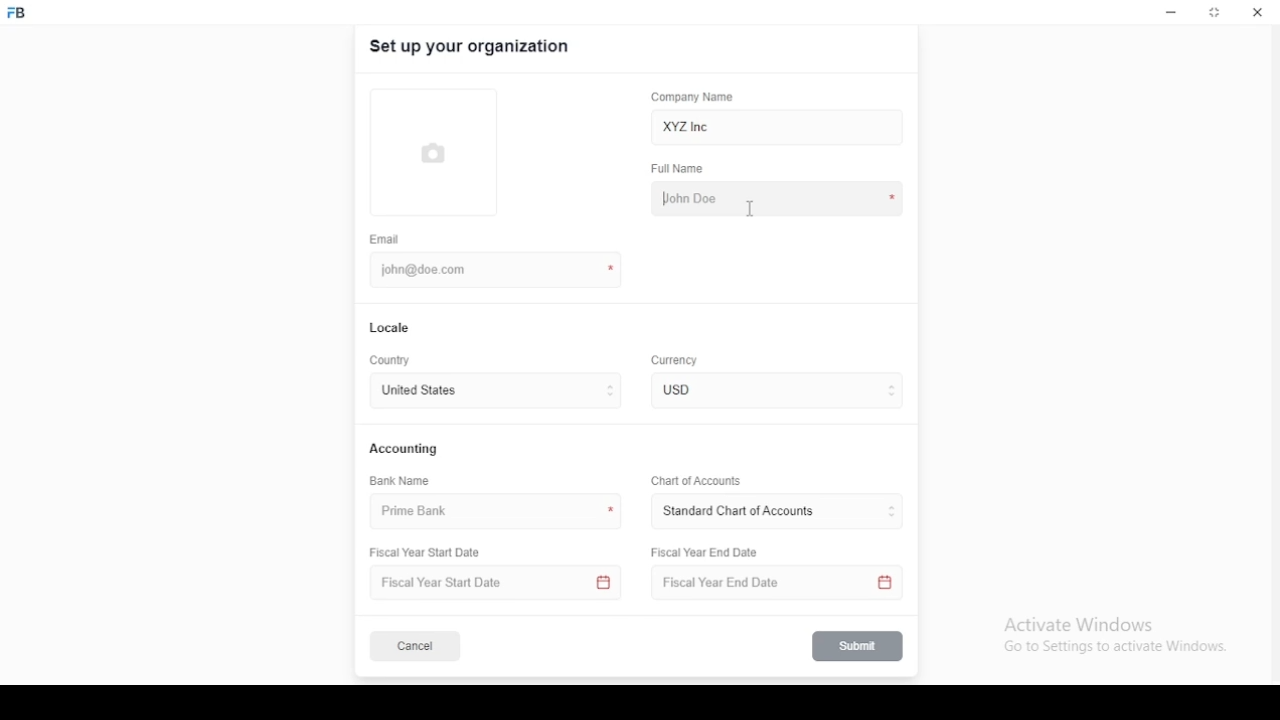 The image size is (1280, 720). What do you see at coordinates (498, 583) in the screenshot?
I see `Fiscal Year Start Date` at bounding box center [498, 583].